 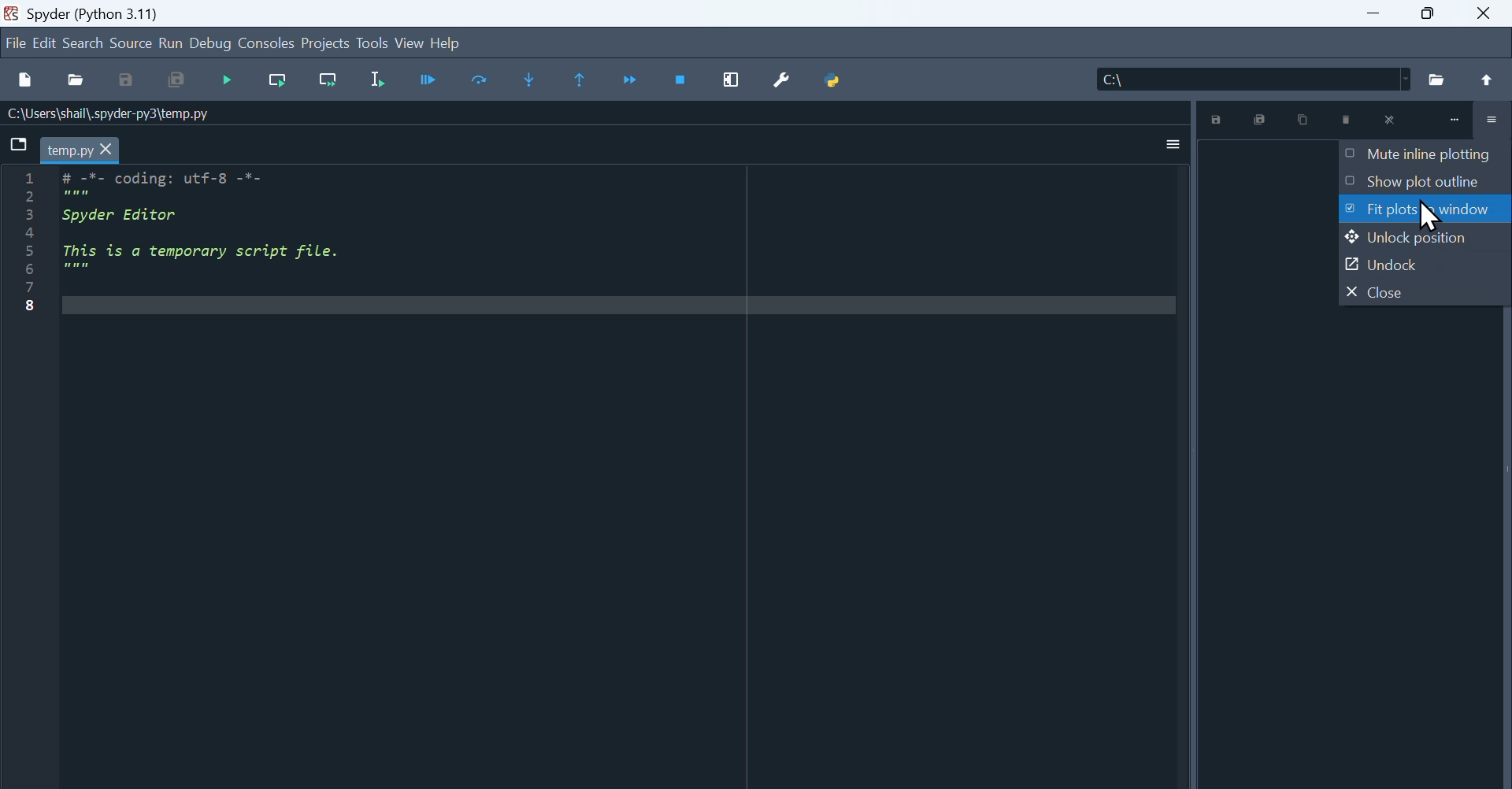 What do you see at coordinates (131, 43) in the screenshot?
I see `Sources` at bounding box center [131, 43].